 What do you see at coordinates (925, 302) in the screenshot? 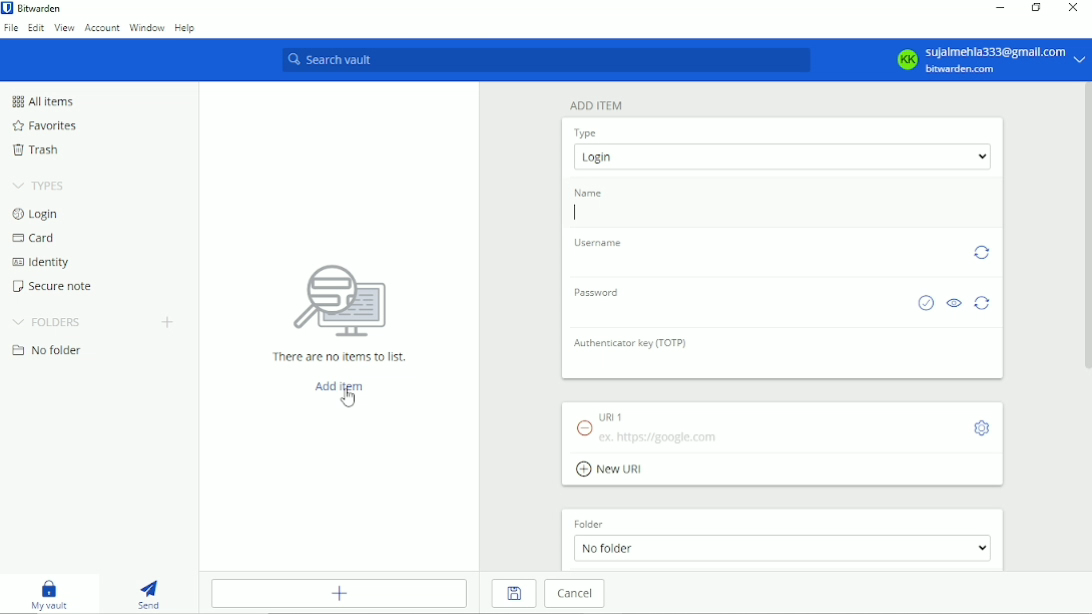
I see `Check if password has been exposed` at bounding box center [925, 302].